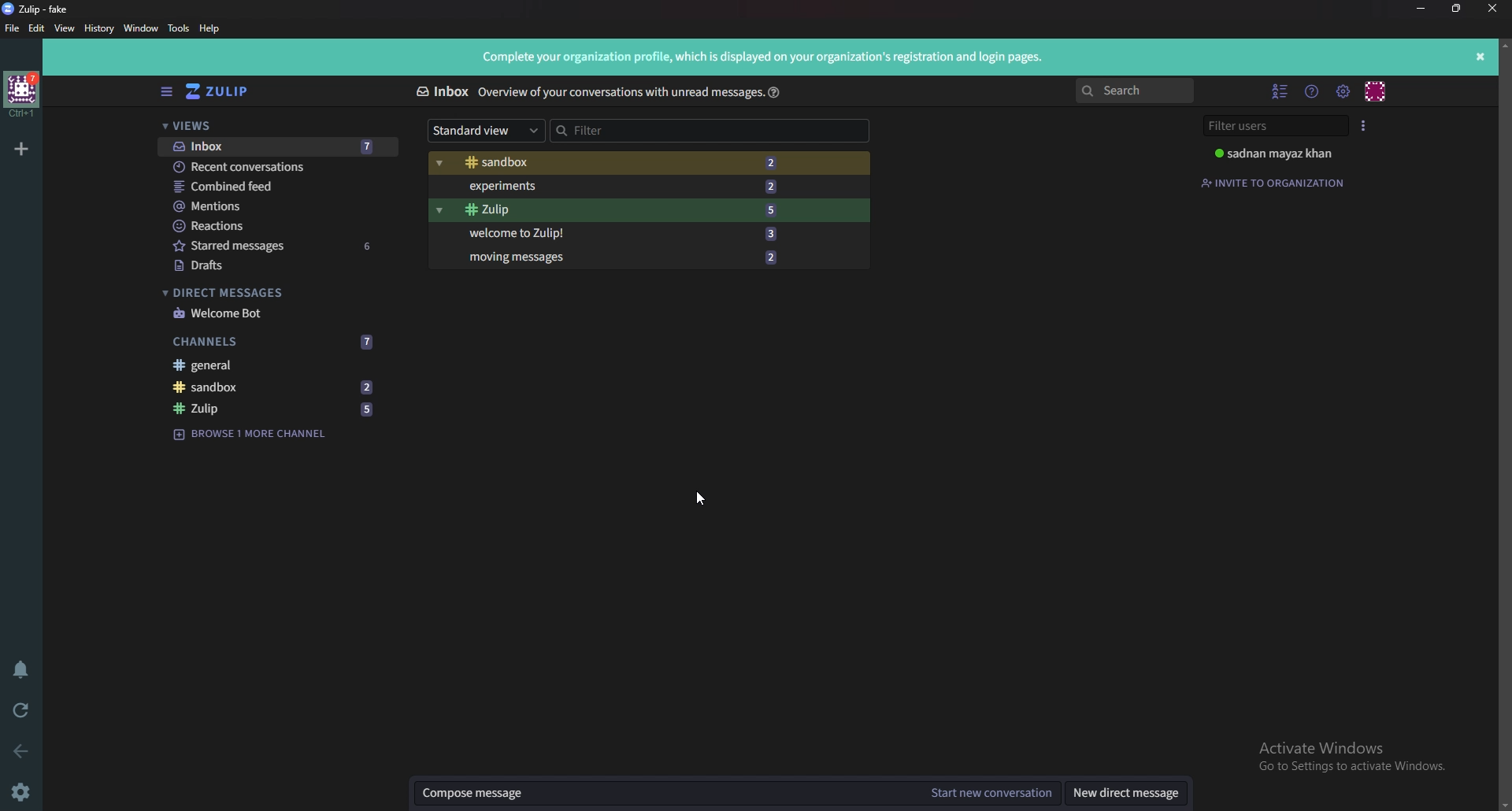  I want to click on Help menu, so click(1312, 91).